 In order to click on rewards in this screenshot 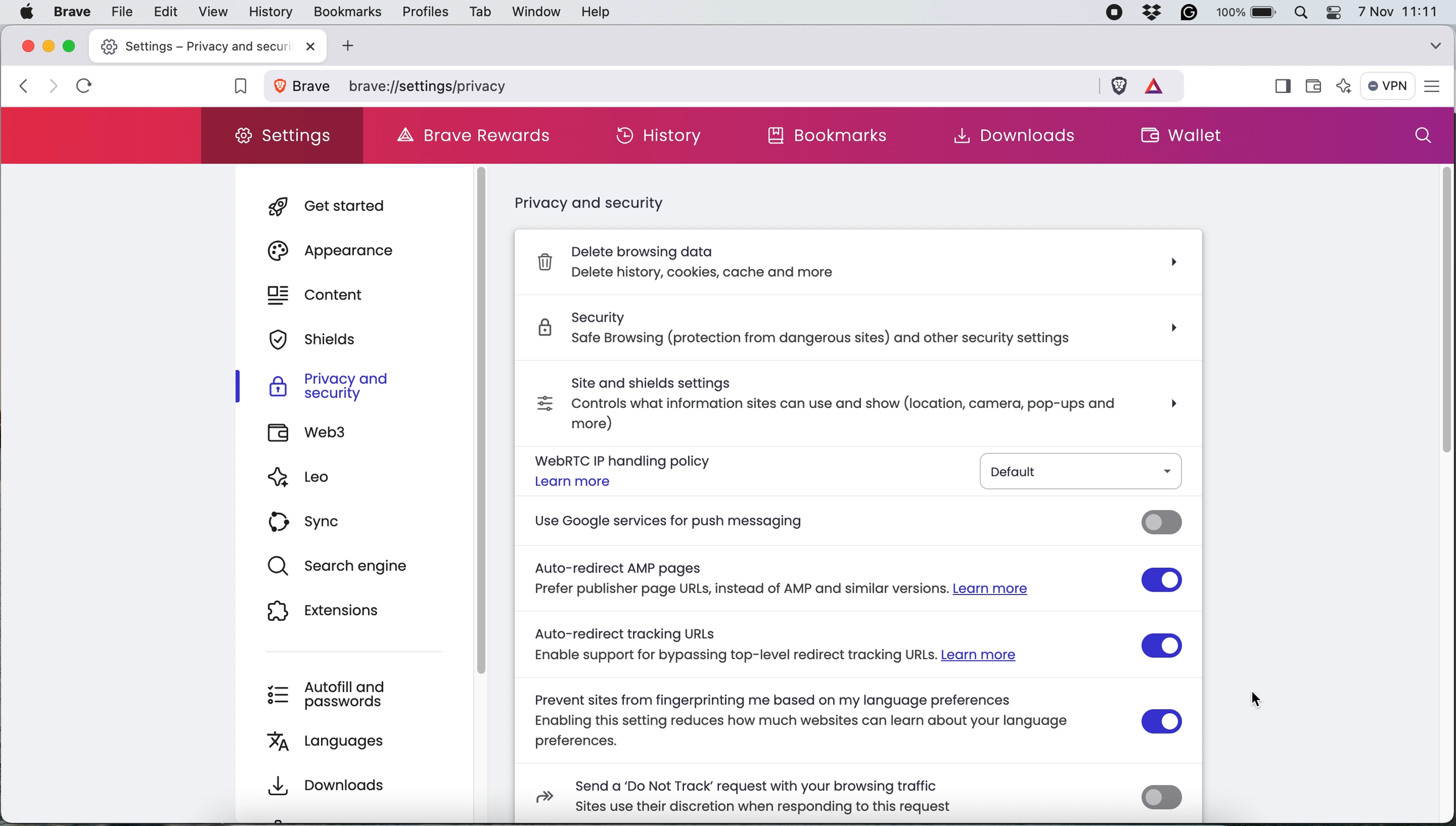, I will do `click(1160, 84)`.